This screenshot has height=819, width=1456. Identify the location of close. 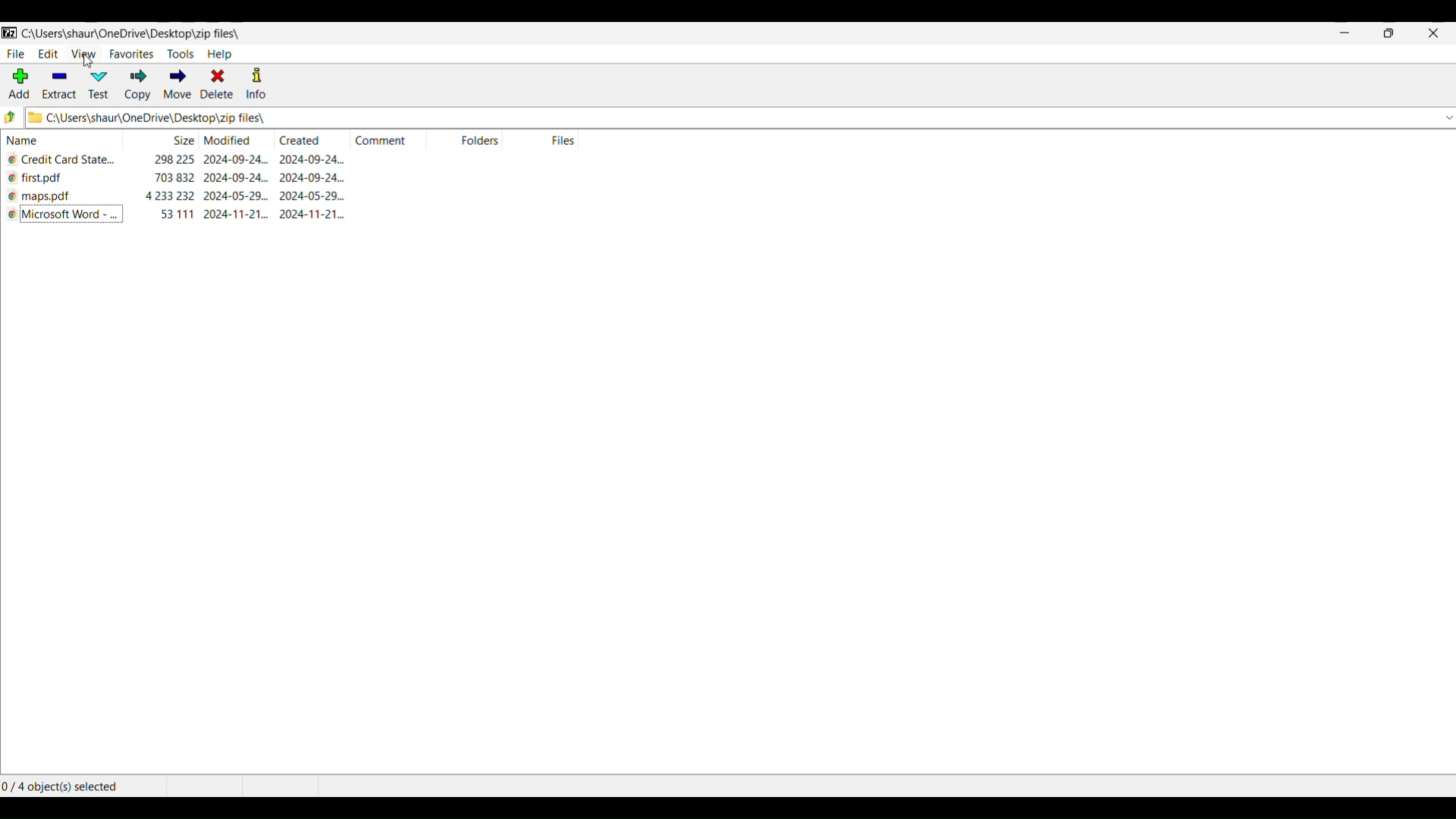
(1432, 33).